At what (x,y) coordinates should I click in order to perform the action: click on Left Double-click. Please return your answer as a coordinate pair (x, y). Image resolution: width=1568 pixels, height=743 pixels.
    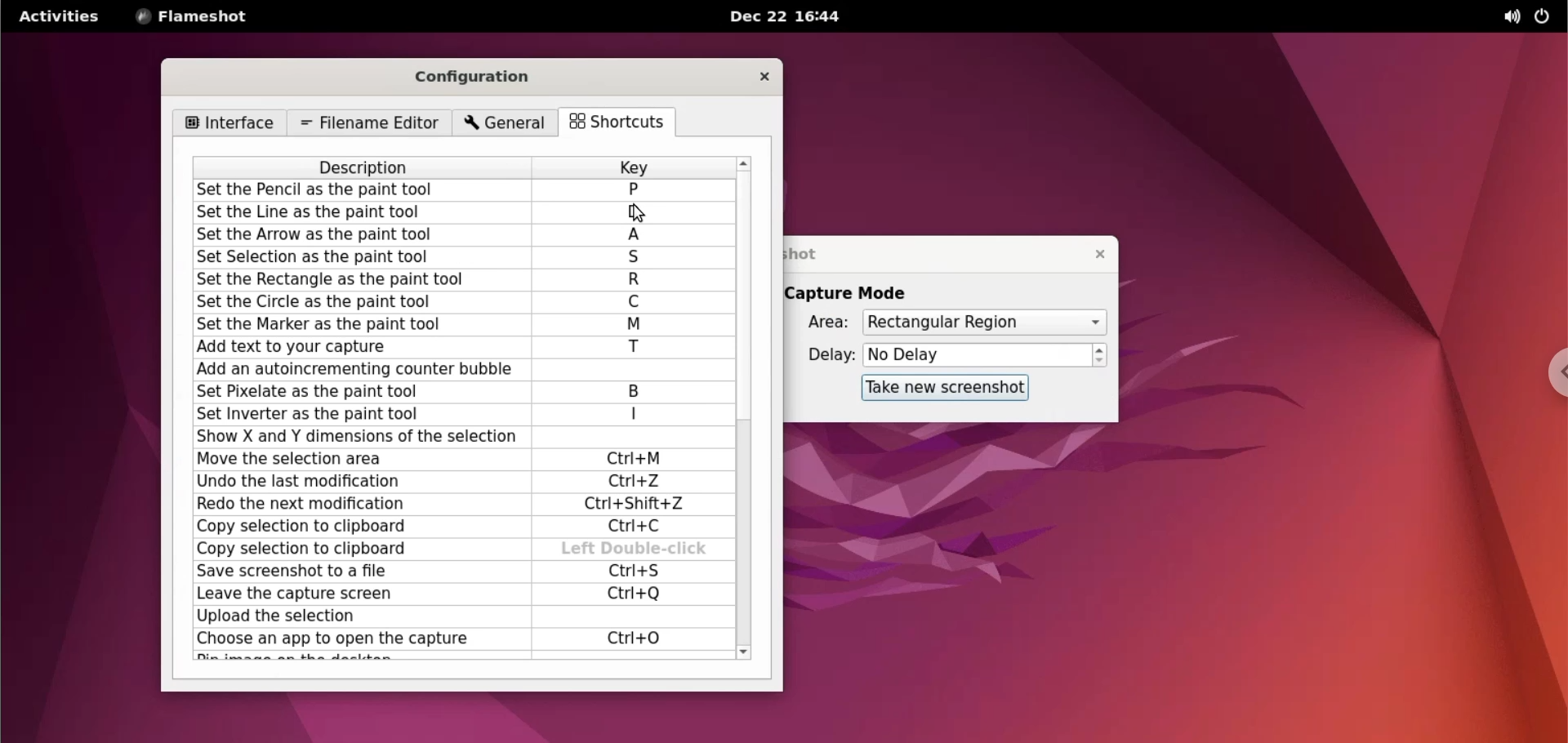
    Looking at the image, I should click on (635, 549).